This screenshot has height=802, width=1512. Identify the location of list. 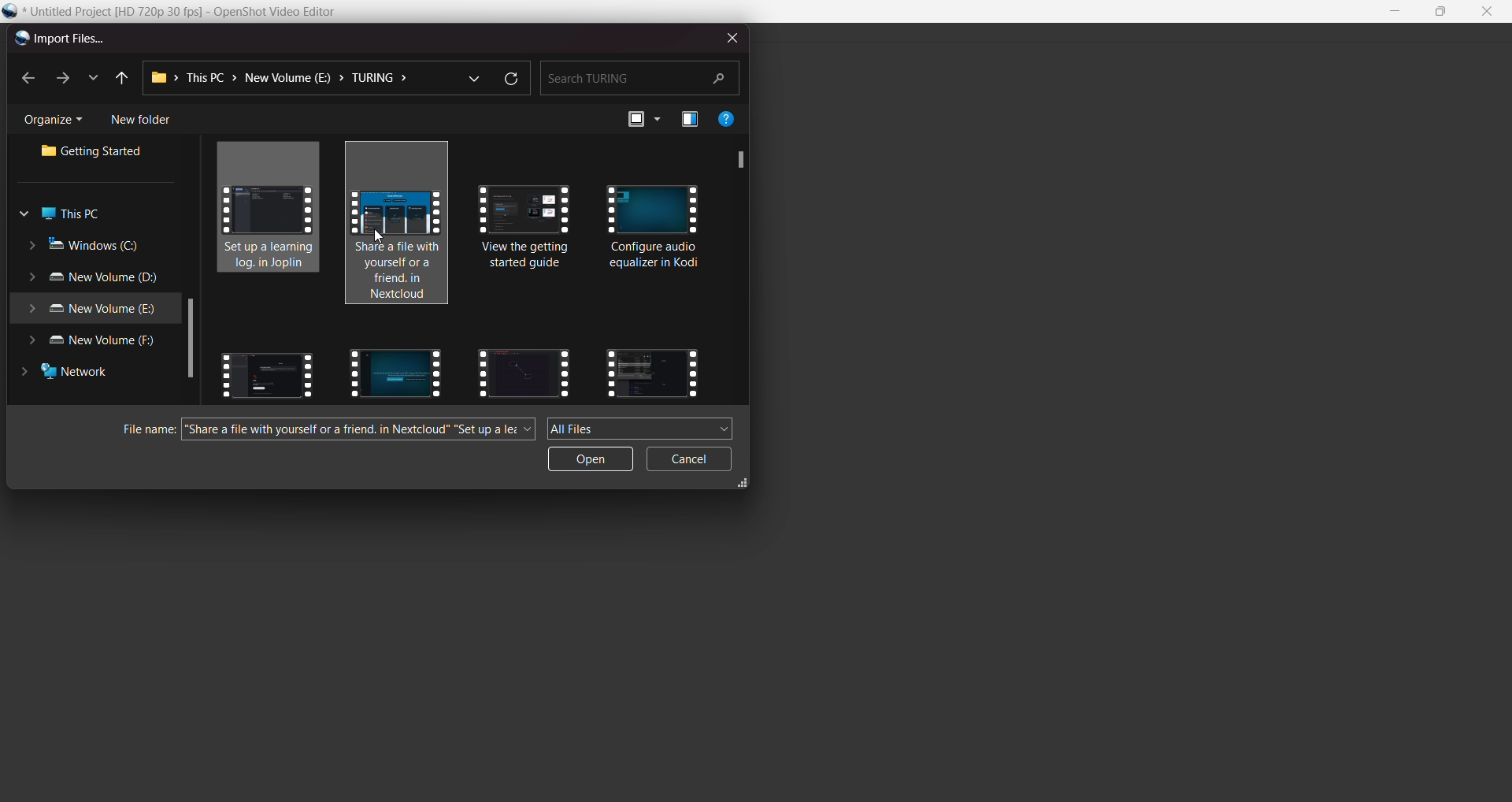
(91, 76).